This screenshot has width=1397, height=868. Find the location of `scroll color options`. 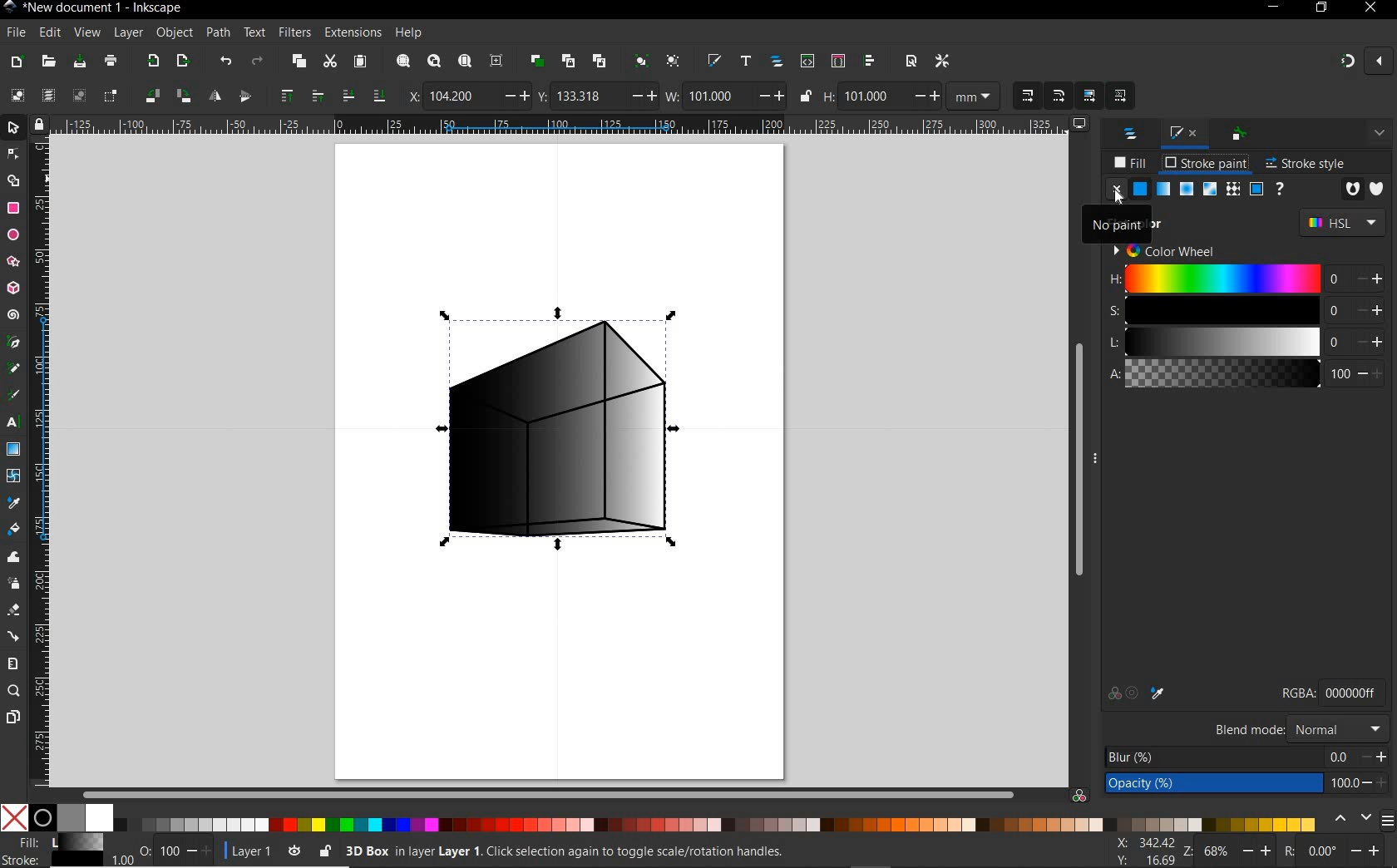

scroll color options is located at coordinates (1350, 820).